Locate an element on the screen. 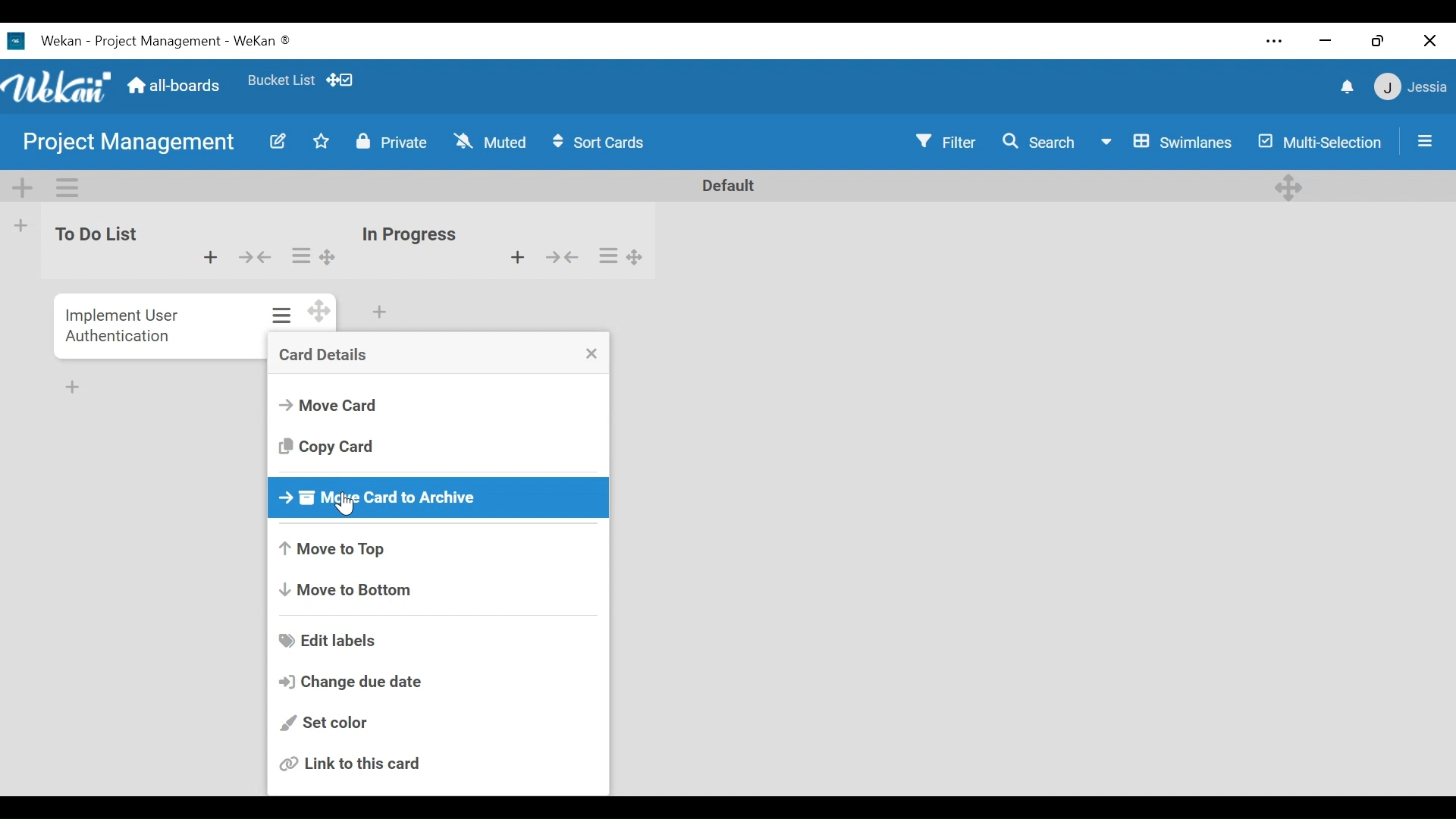  Swimlane actions is located at coordinates (67, 188).